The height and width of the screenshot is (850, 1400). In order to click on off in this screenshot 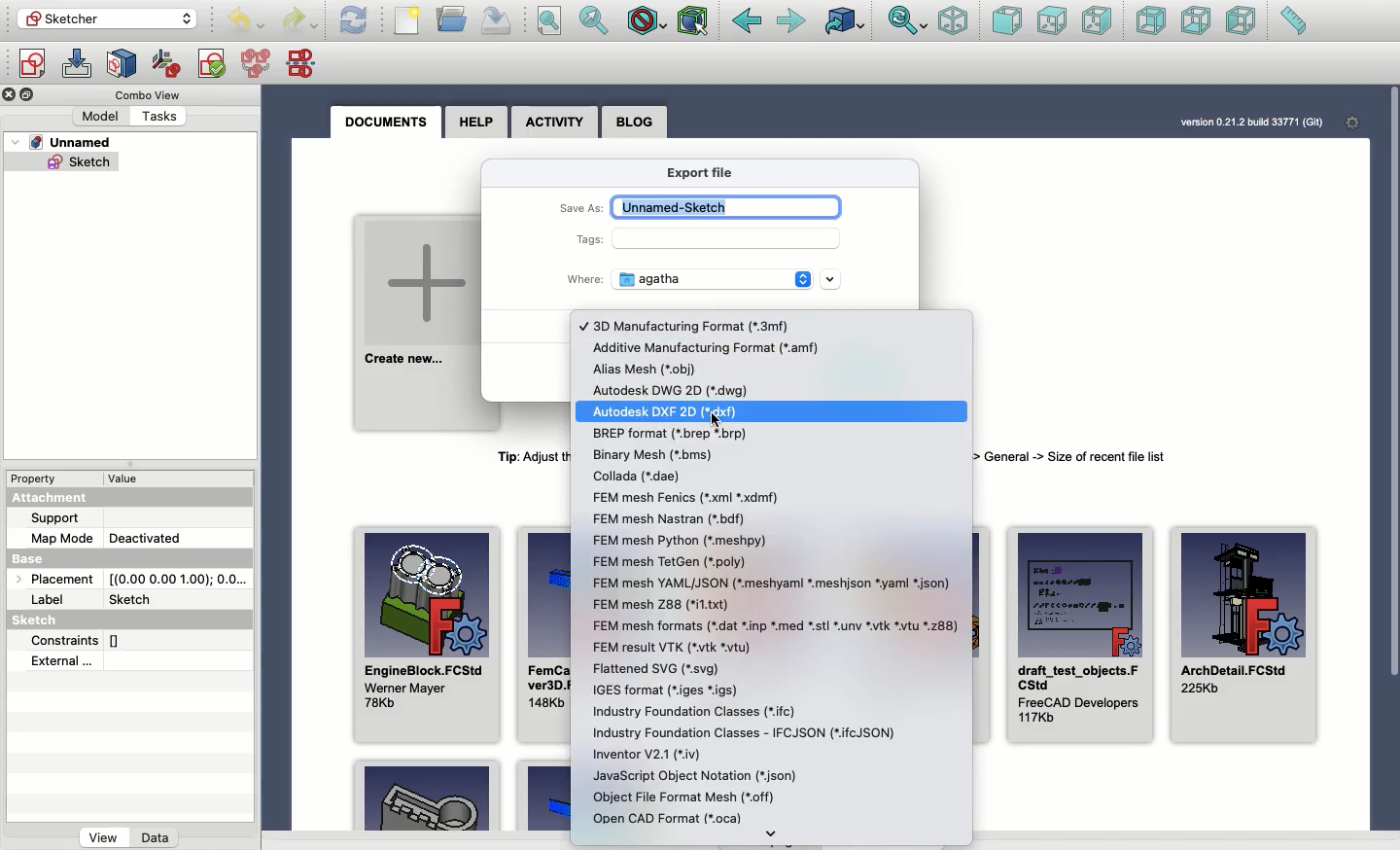, I will do `click(689, 797)`.